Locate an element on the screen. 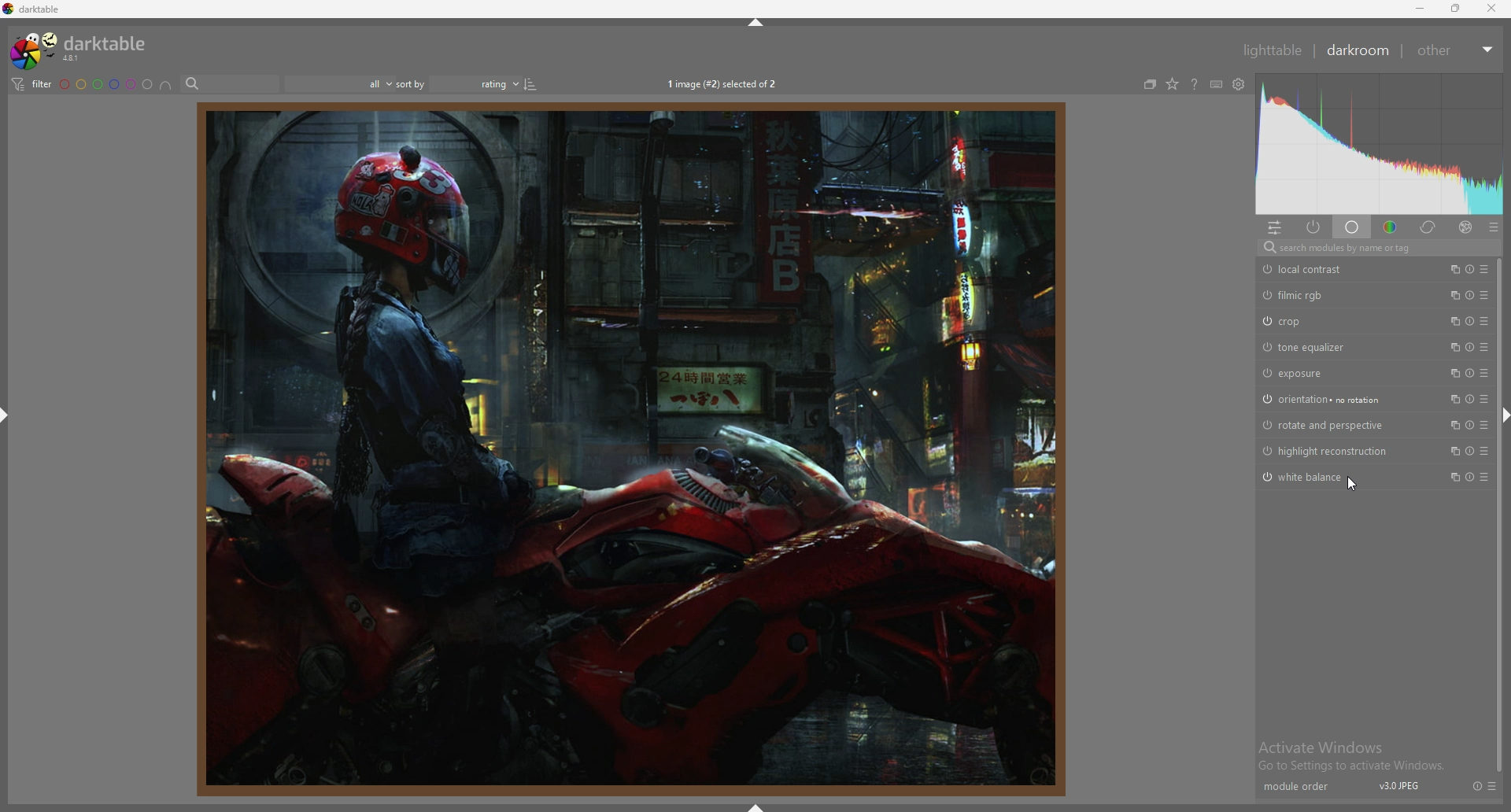 This screenshot has width=1511, height=812. v3.0 jpeg is located at coordinates (1400, 786).